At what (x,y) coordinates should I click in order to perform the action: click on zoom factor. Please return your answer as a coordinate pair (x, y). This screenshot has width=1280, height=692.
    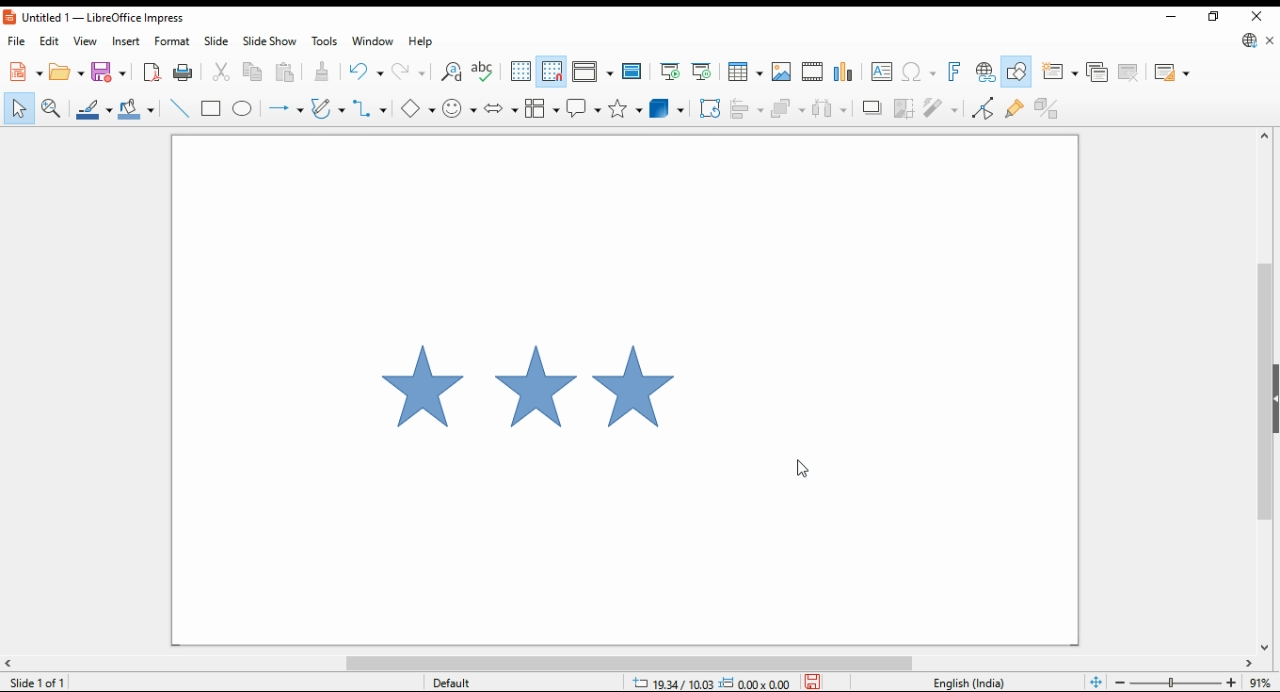
    Looking at the image, I should click on (1261, 682).